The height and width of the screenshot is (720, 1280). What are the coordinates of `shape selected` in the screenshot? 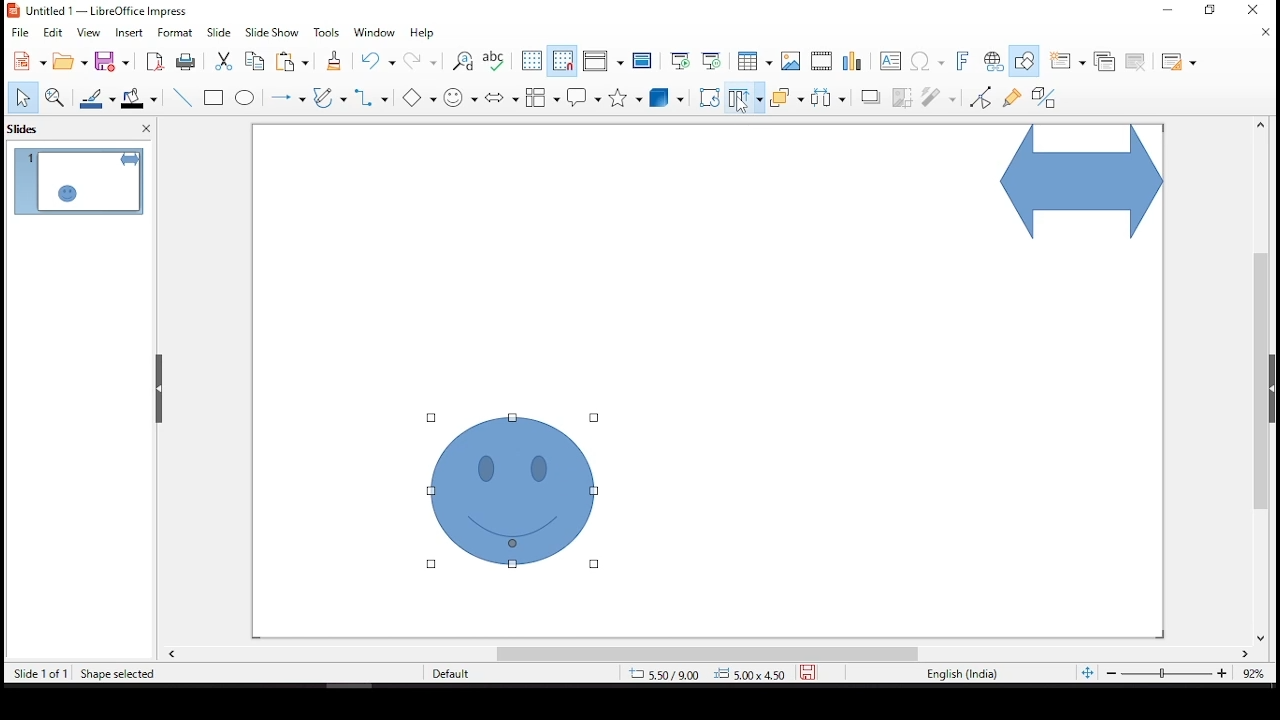 It's located at (118, 672).